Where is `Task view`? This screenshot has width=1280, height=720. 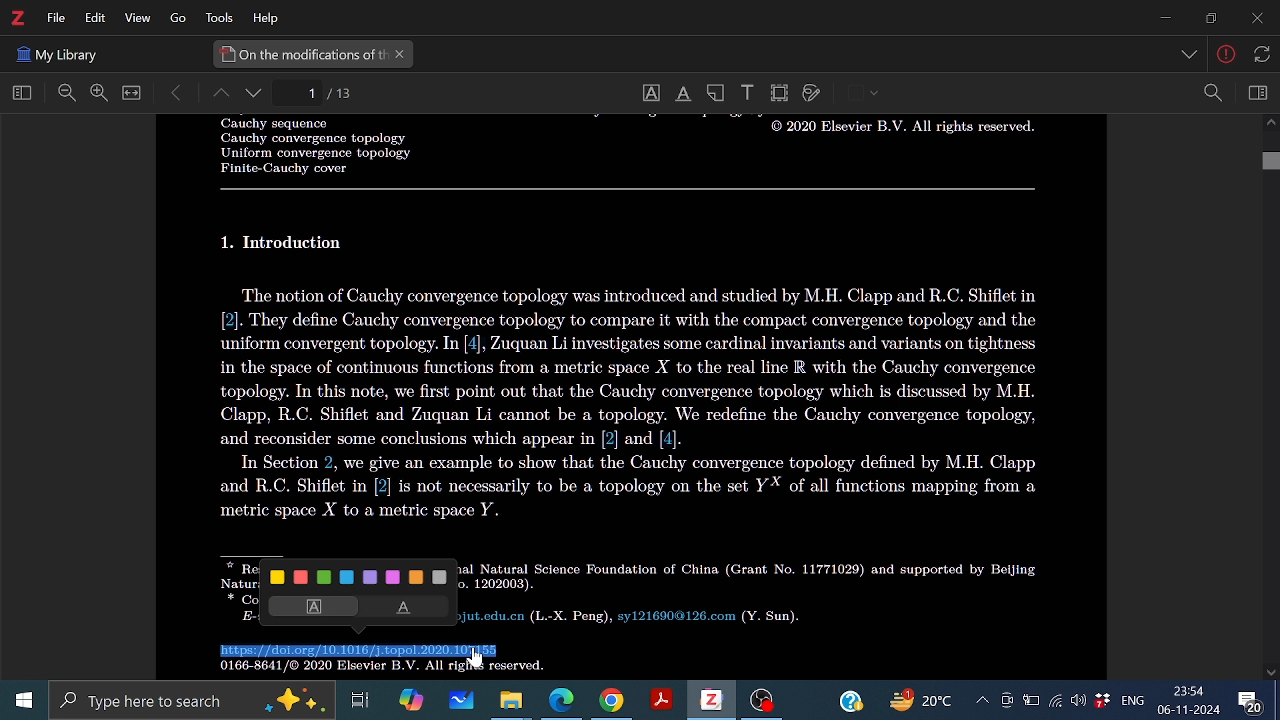
Task view is located at coordinates (361, 700).